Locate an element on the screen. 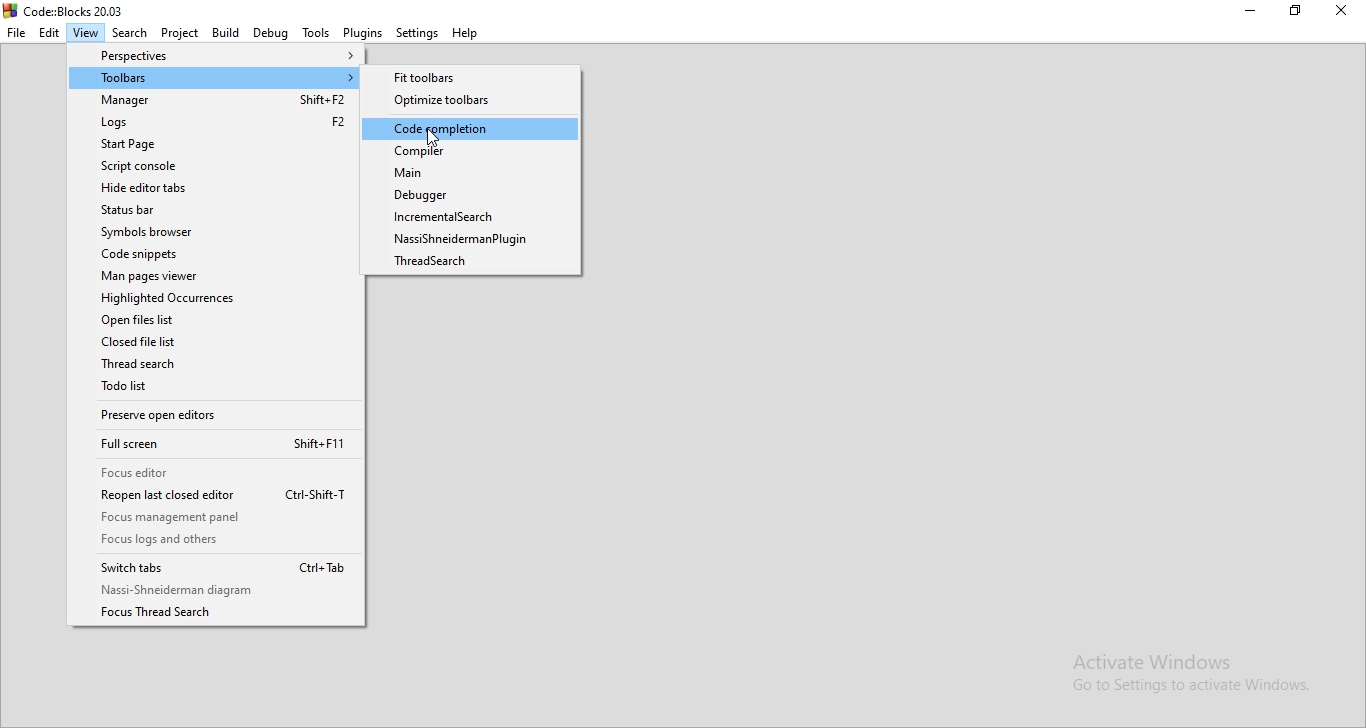 This screenshot has height=728, width=1366. Perspectives is located at coordinates (215, 57).